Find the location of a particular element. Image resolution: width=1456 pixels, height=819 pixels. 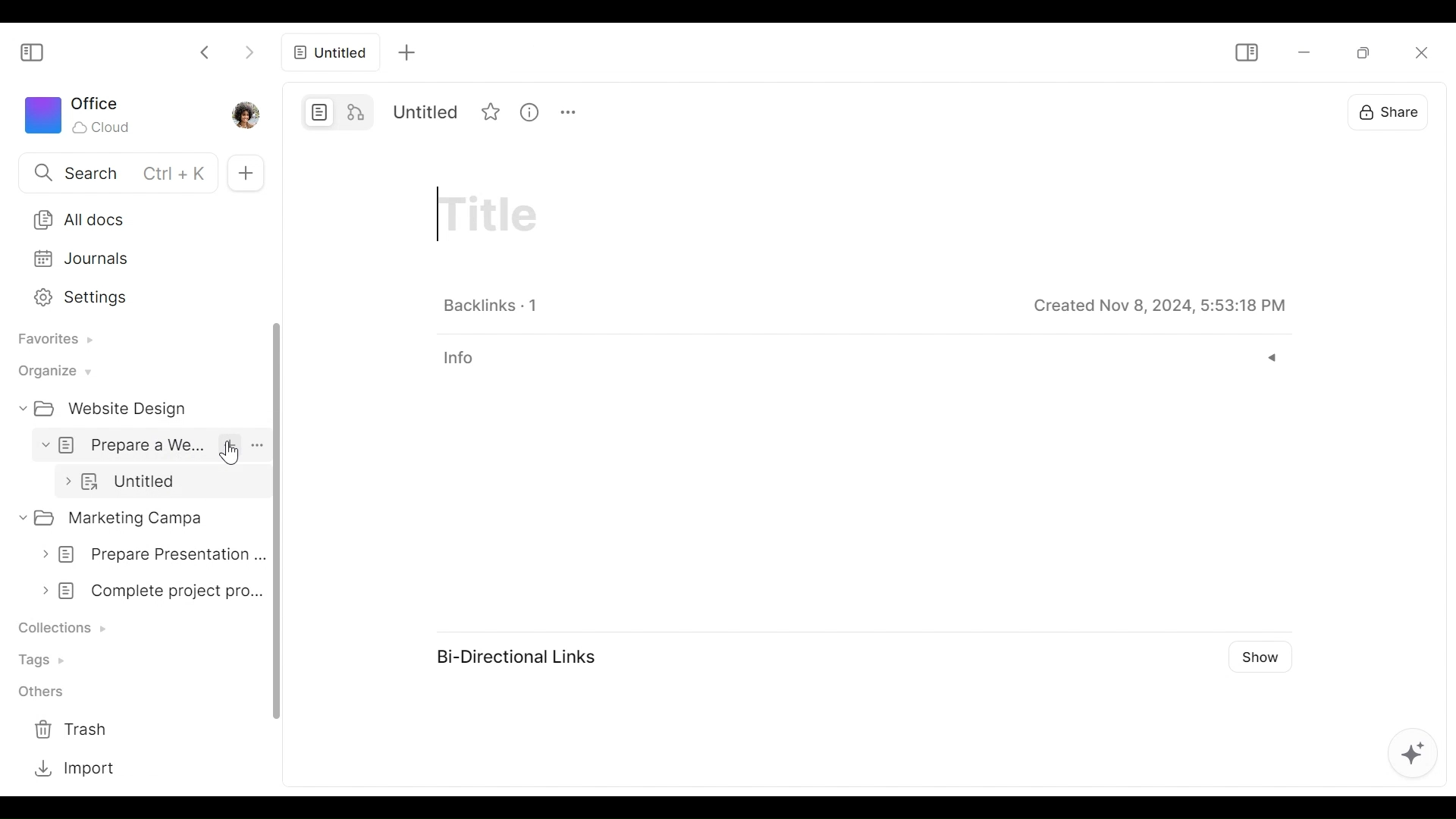

Document is located at coordinates (161, 482).